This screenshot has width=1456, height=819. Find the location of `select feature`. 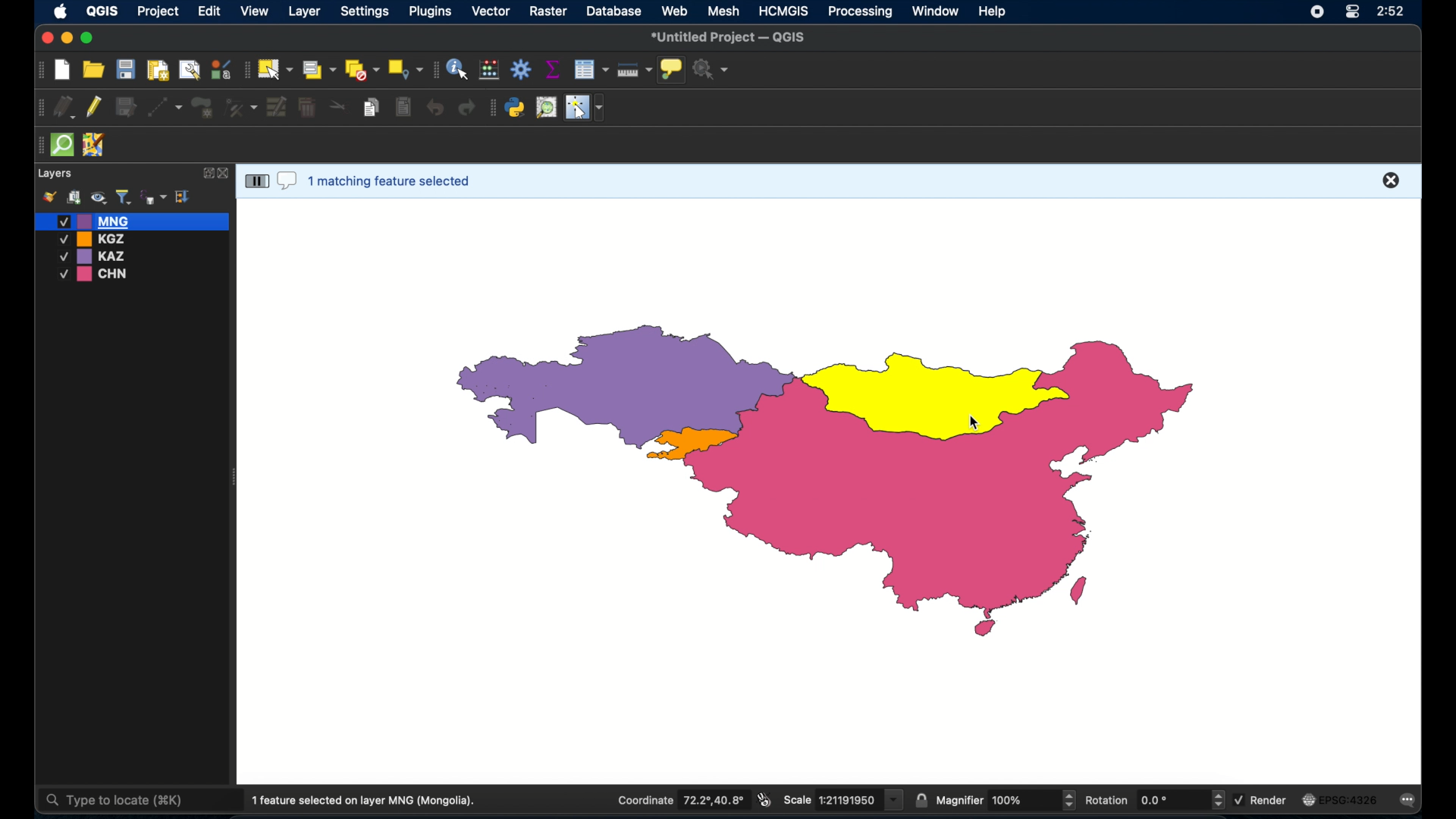

select feature is located at coordinates (256, 180).